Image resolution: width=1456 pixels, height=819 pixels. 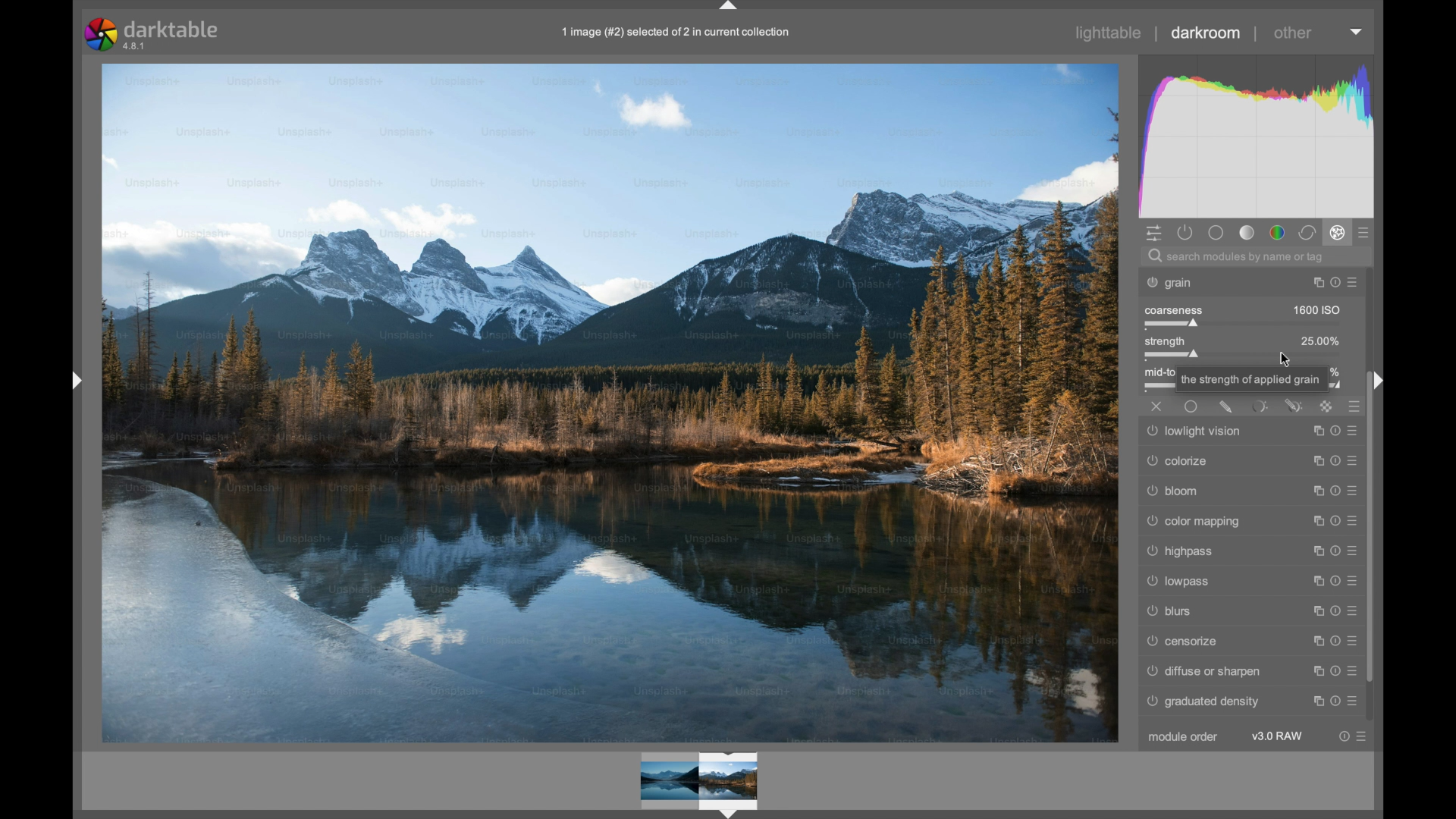 I want to click on censorize, so click(x=1180, y=642).